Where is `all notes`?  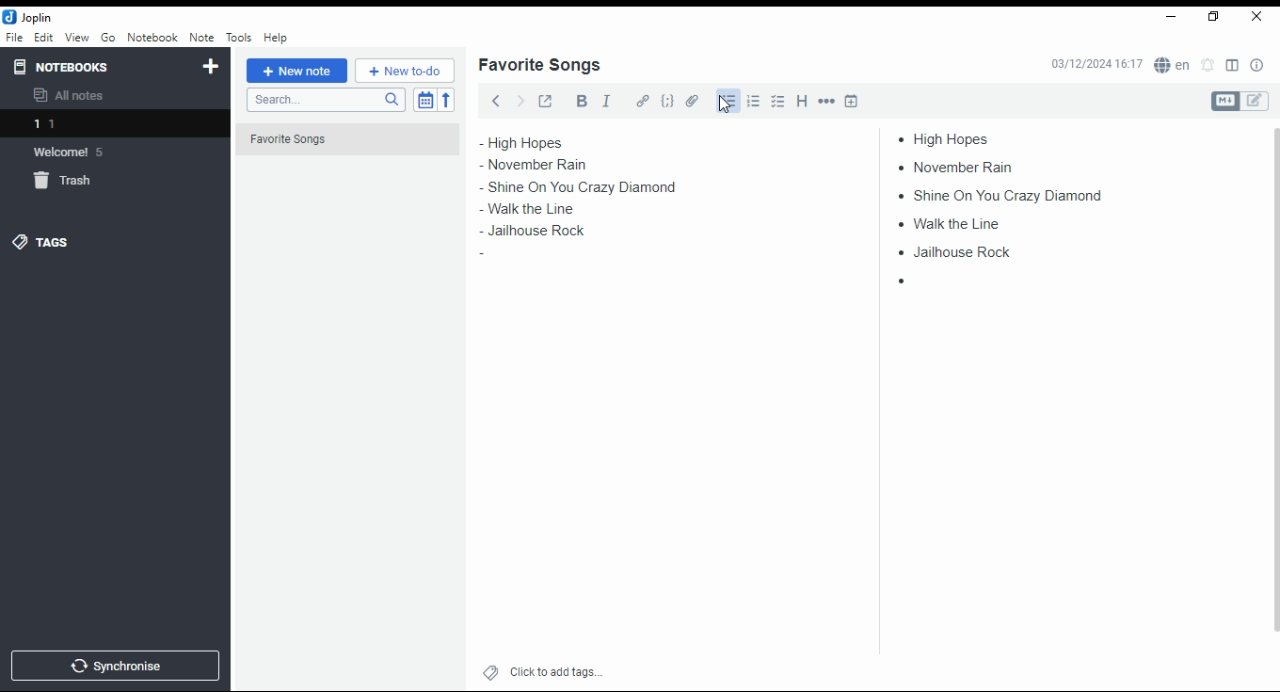 all notes is located at coordinates (74, 96).